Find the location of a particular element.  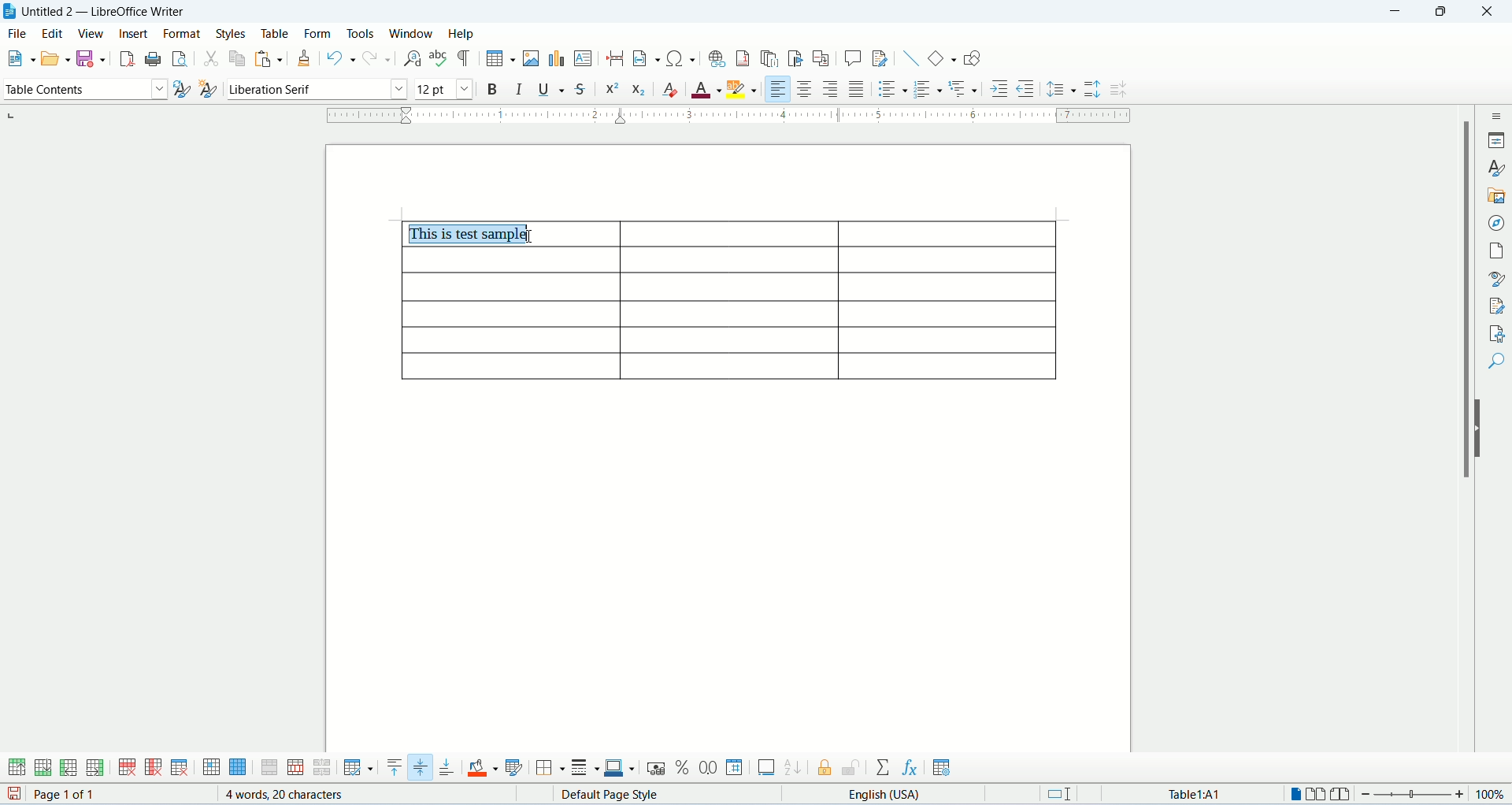

insert table is located at coordinates (499, 57).